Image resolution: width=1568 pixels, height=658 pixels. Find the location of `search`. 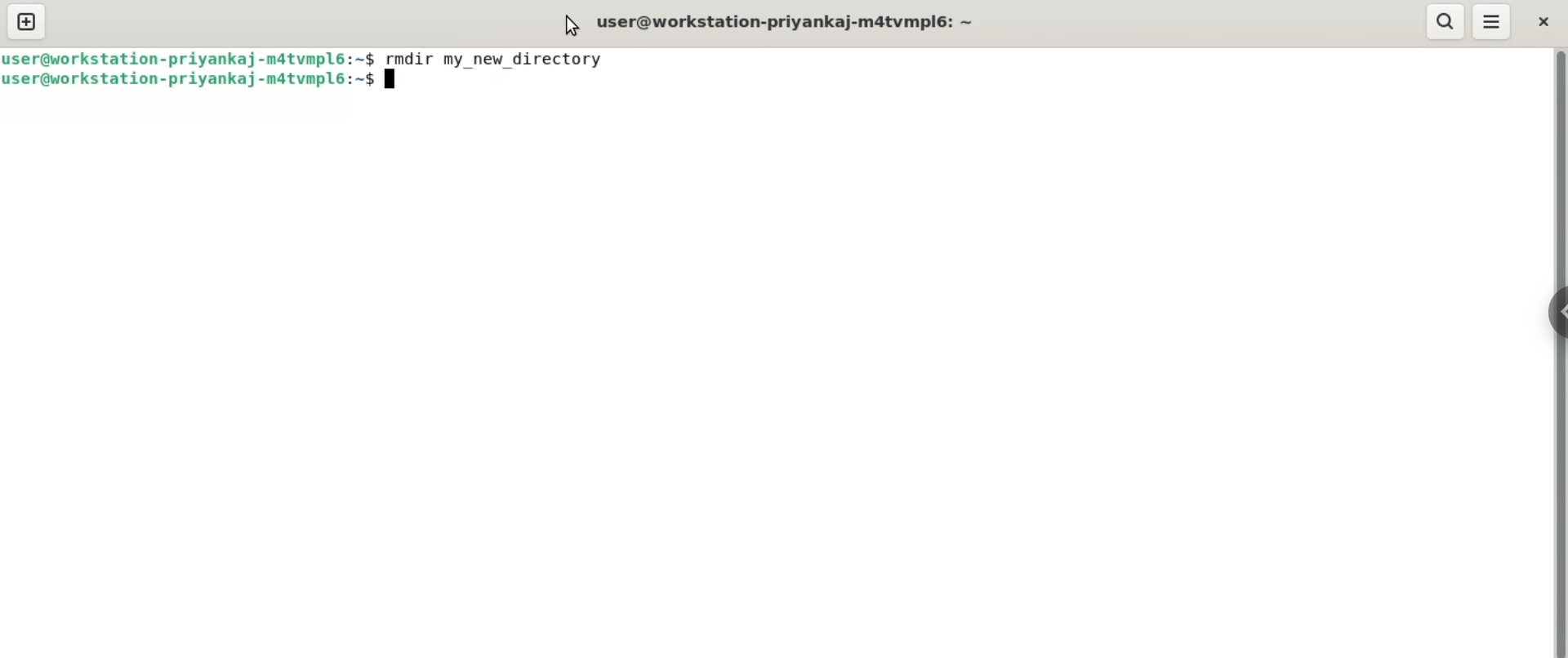

search is located at coordinates (1444, 21).